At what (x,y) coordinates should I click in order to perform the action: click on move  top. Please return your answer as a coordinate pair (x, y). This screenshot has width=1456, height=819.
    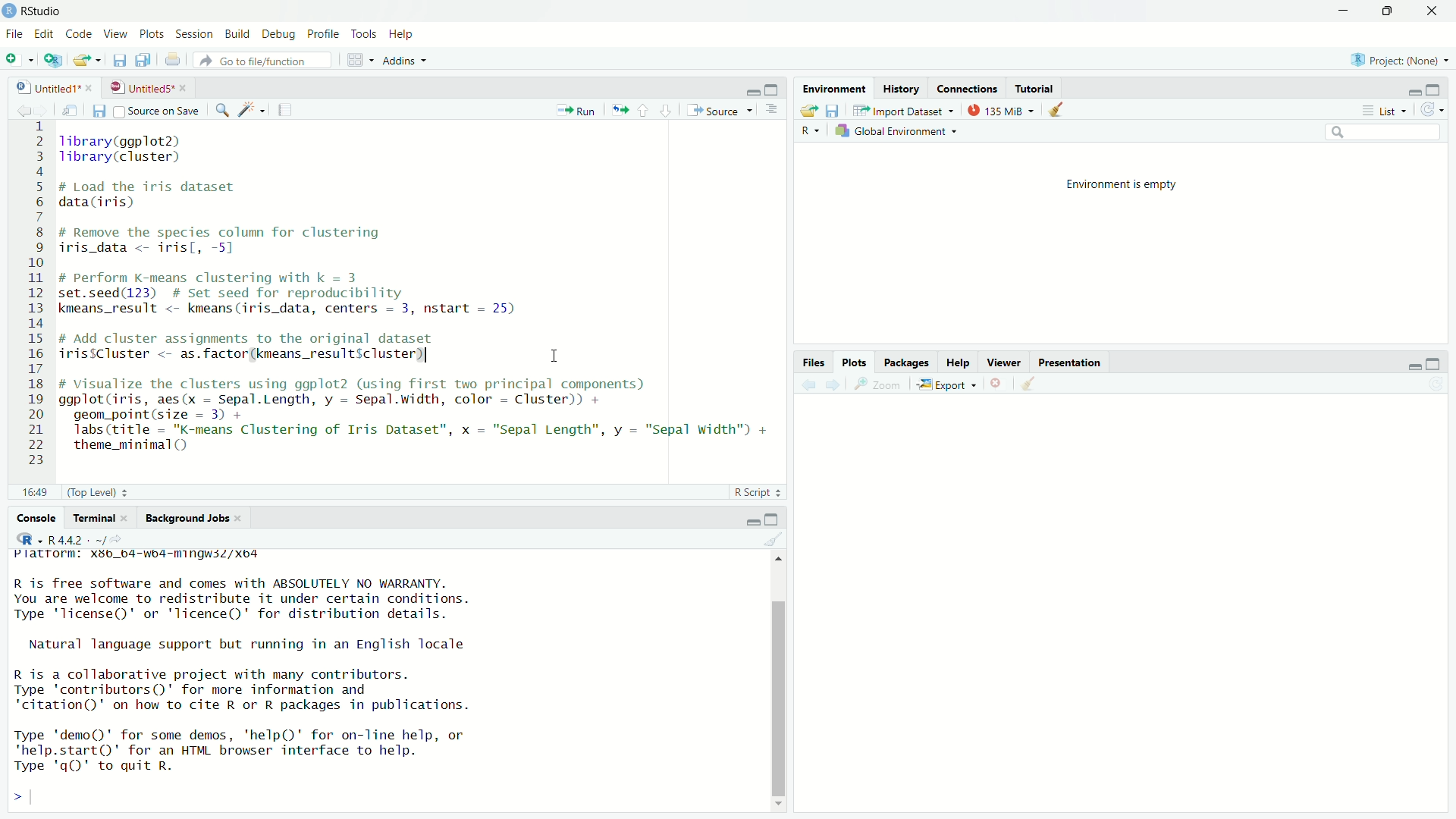
    Looking at the image, I should click on (778, 562).